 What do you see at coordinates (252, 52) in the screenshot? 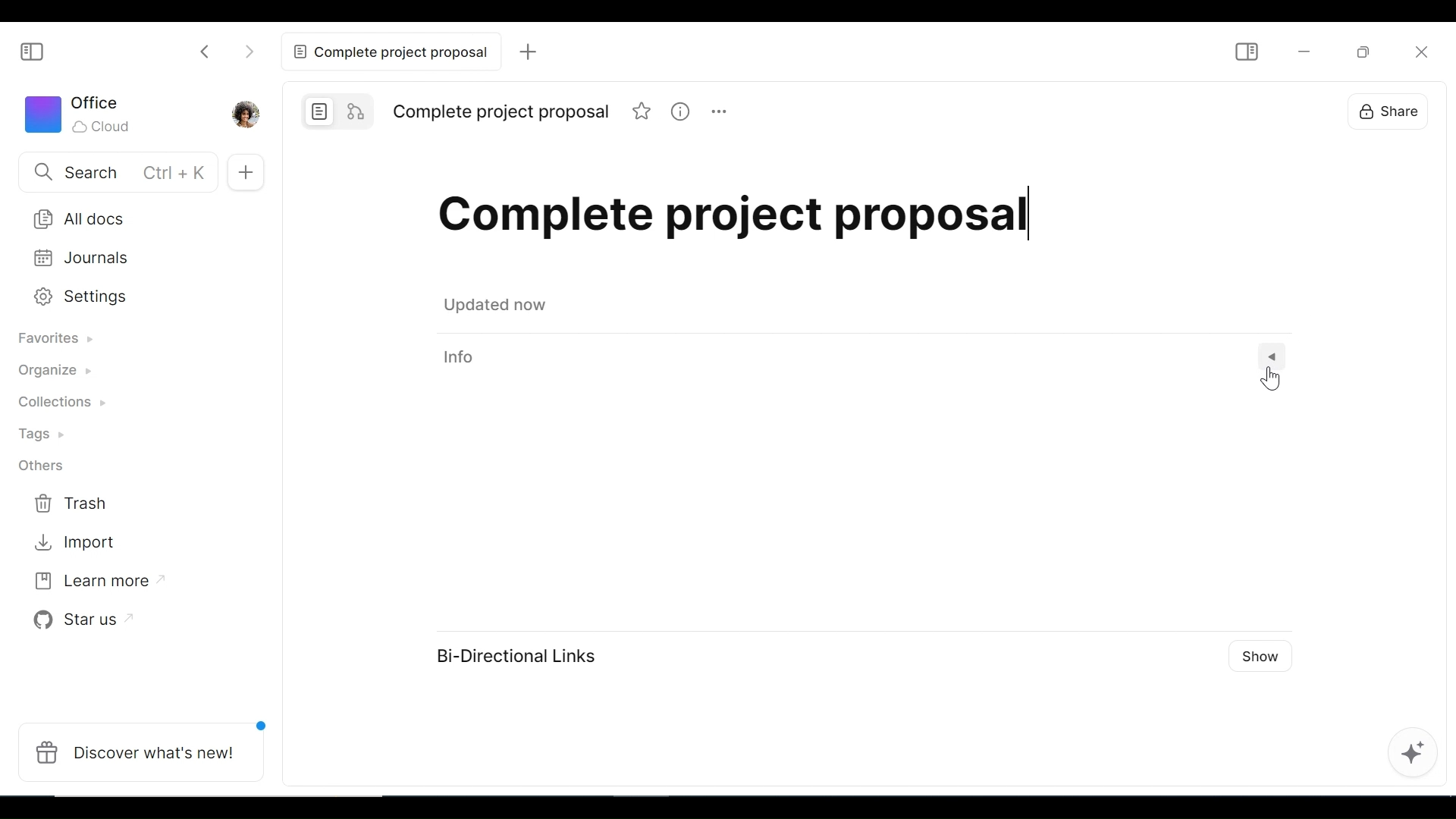
I see `Click to go forward` at bounding box center [252, 52].